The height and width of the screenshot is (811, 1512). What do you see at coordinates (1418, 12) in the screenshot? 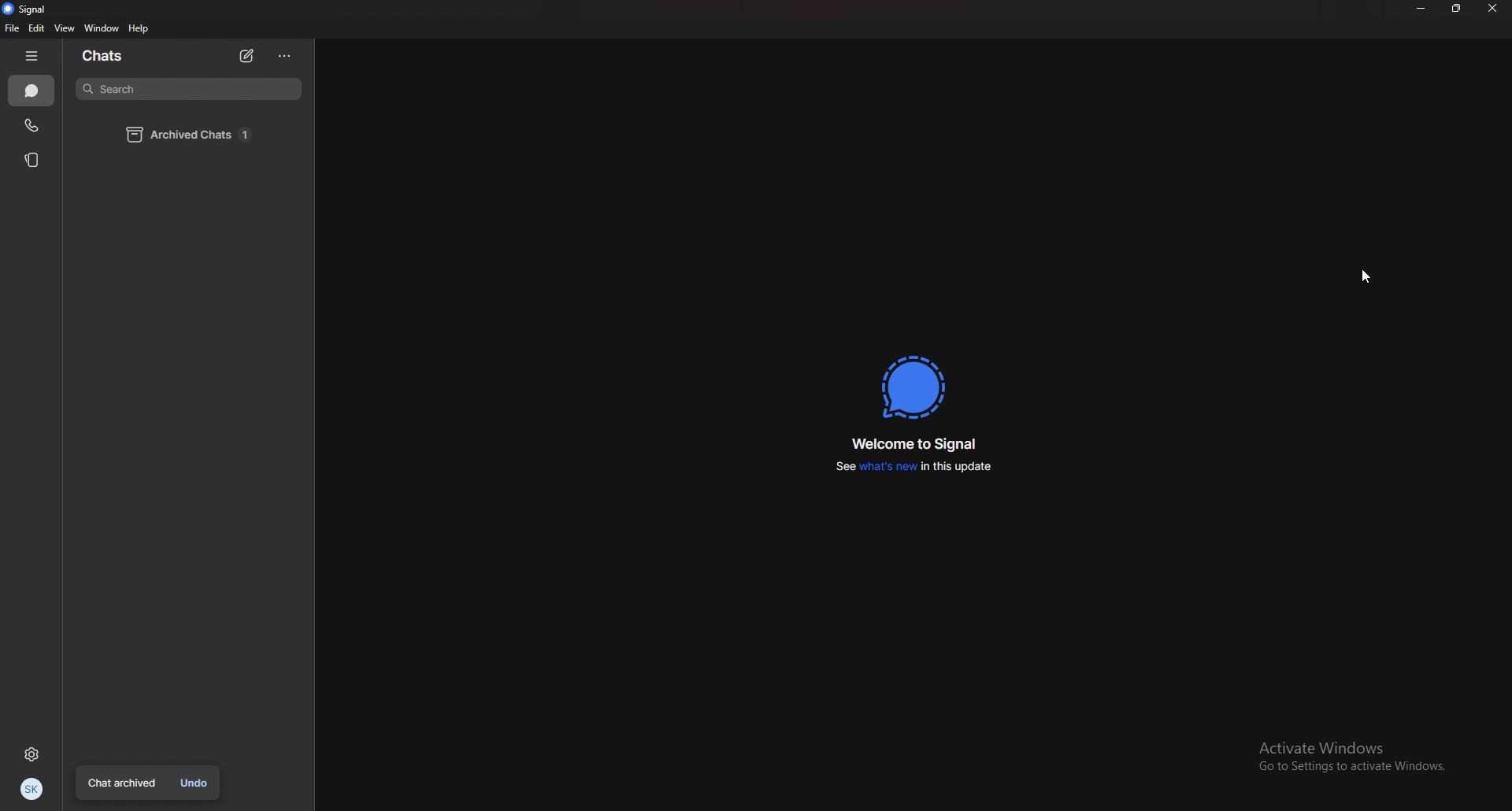
I see `minimize Signal` at bounding box center [1418, 12].